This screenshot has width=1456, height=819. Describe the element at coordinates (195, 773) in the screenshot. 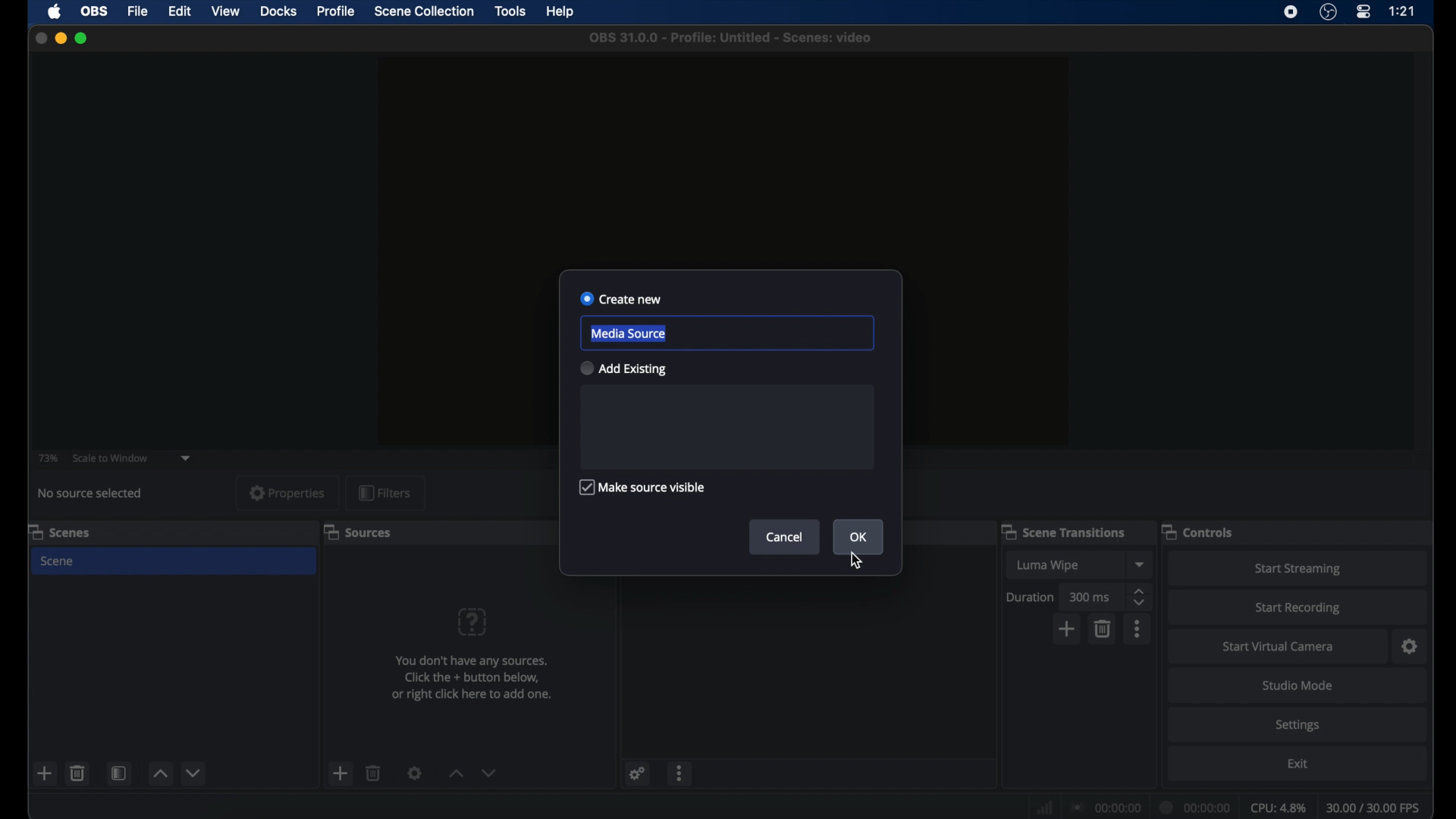

I see `decrement` at that location.